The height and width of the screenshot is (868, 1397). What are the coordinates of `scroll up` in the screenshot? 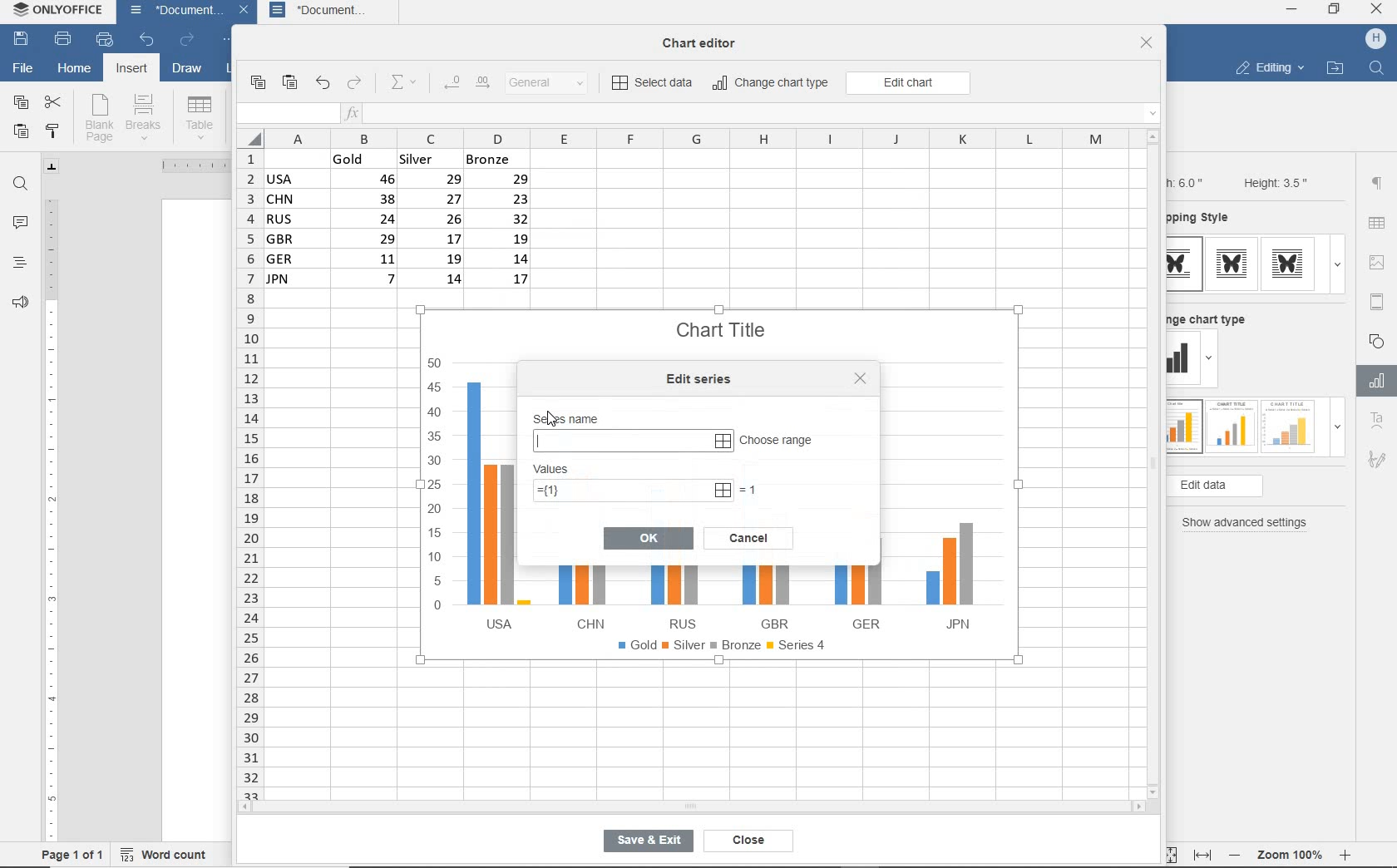 It's located at (1153, 136).